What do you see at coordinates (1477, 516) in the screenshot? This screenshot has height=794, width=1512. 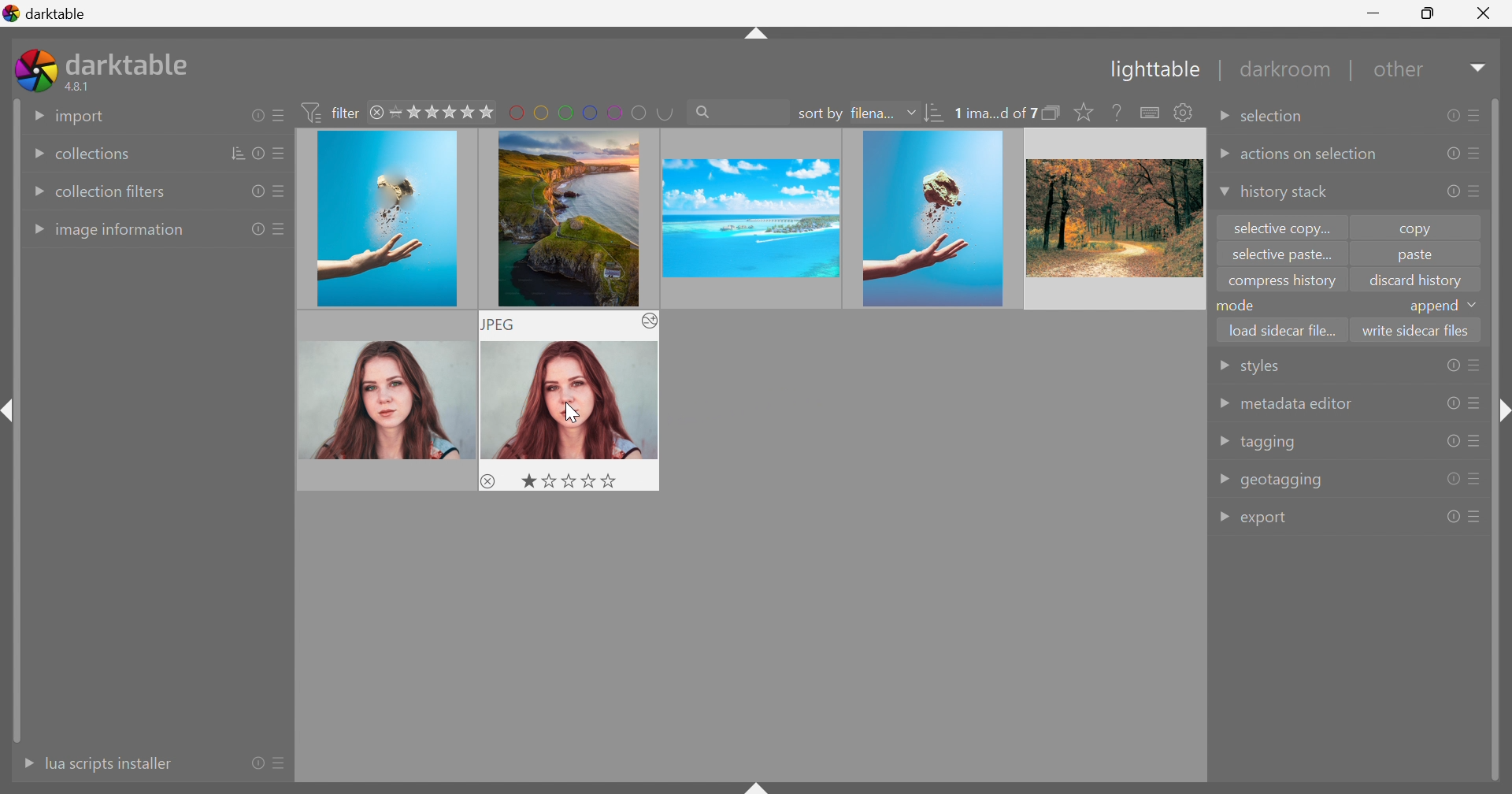 I see `presets` at bounding box center [1477, 516].